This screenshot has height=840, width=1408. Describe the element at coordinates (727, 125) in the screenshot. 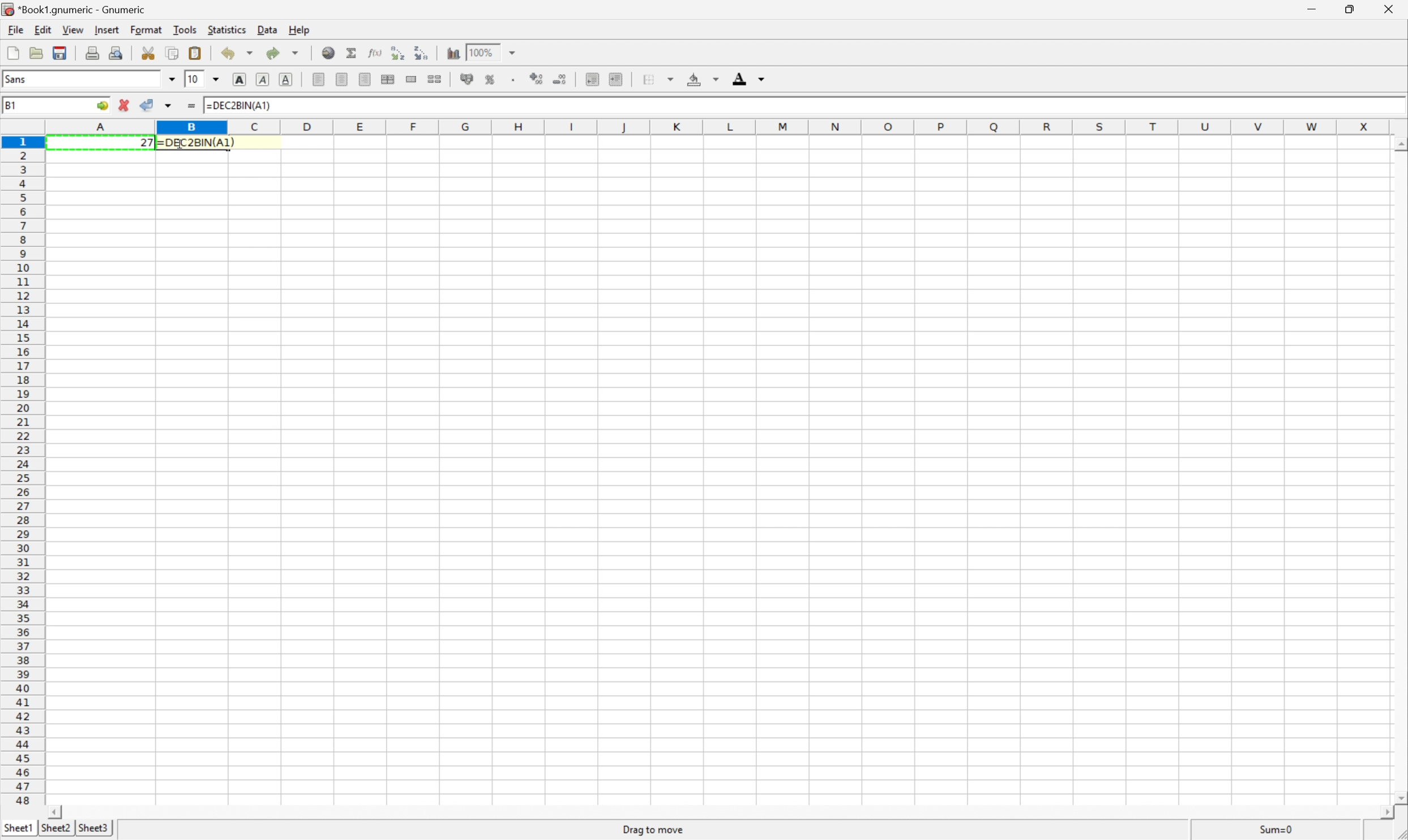

I see `Column names` at that location.